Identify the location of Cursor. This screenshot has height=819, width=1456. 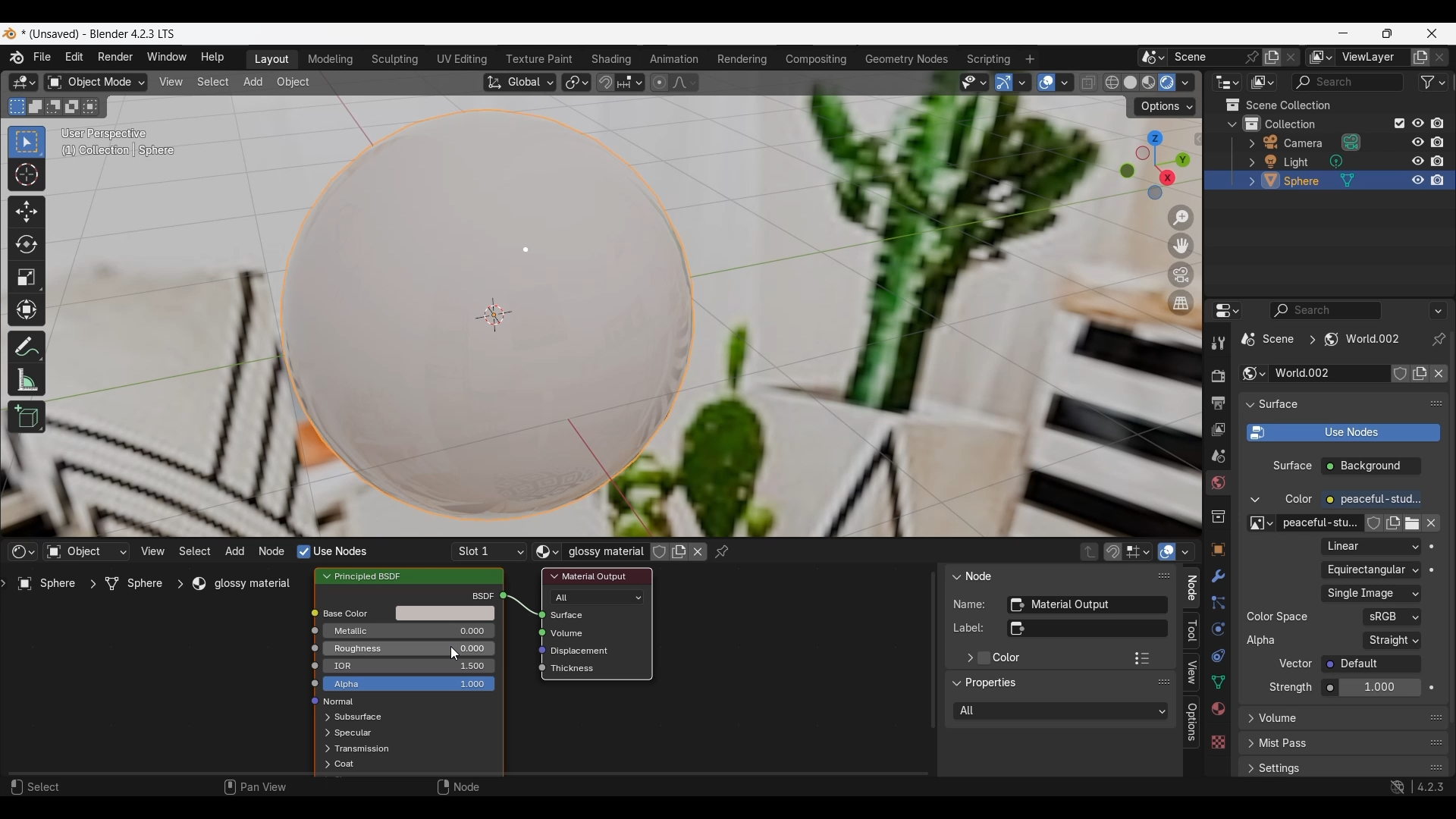
(457, 653).